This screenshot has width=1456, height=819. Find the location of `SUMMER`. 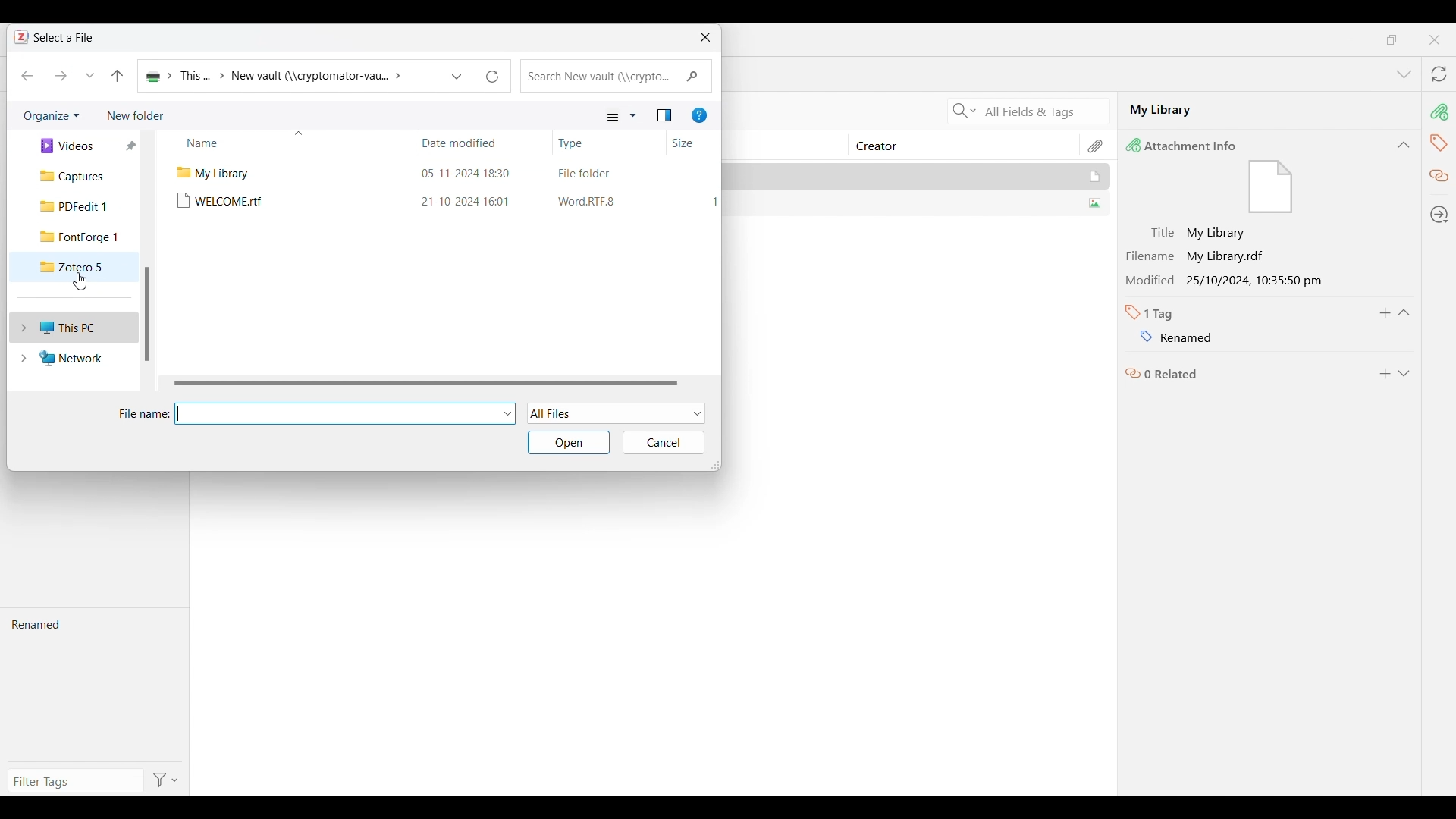

SUMMER is located at coordinates (915, 204).